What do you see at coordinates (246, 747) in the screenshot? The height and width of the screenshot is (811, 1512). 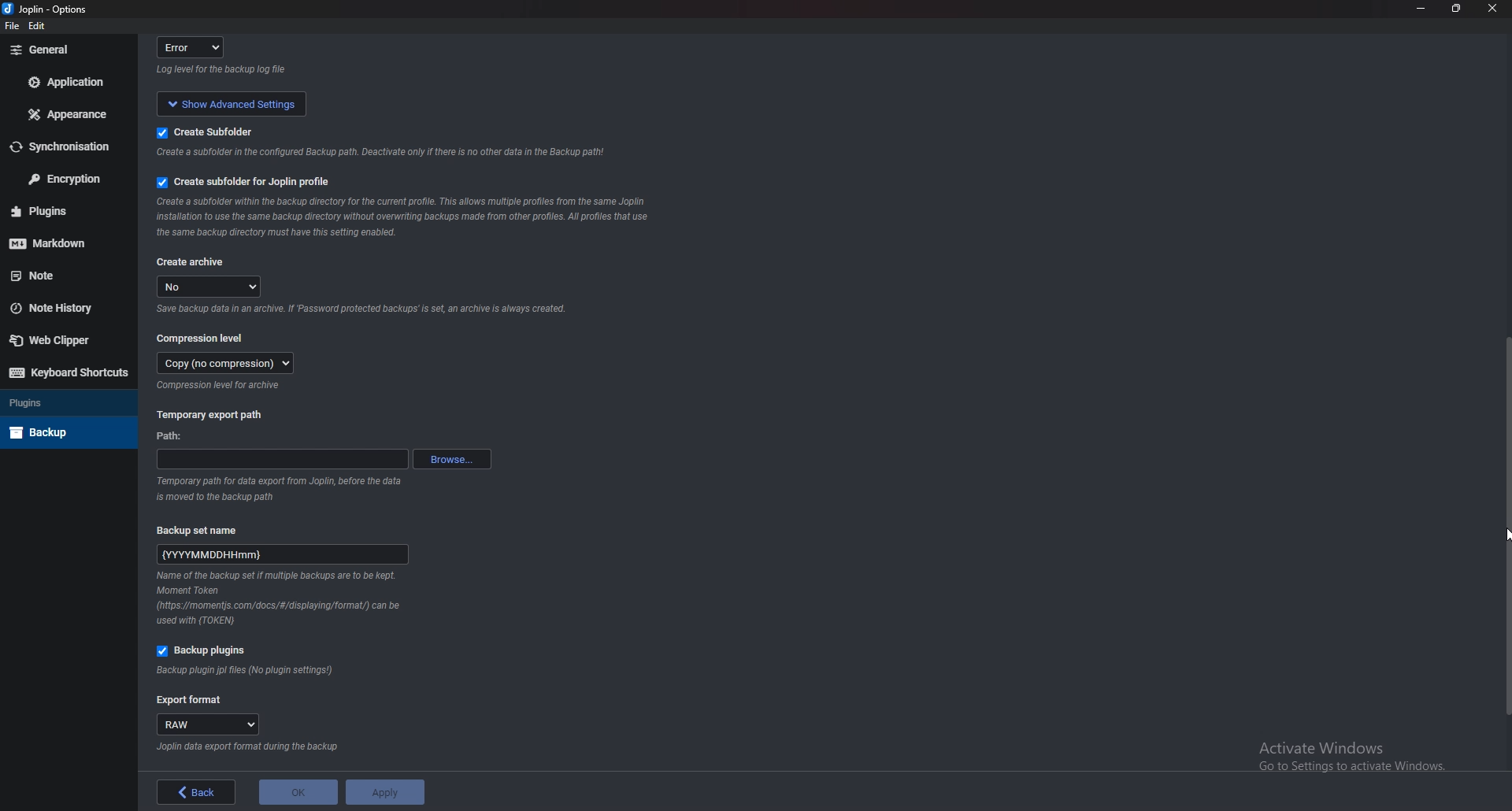 I see `Info` at bounding box center [246, 747].